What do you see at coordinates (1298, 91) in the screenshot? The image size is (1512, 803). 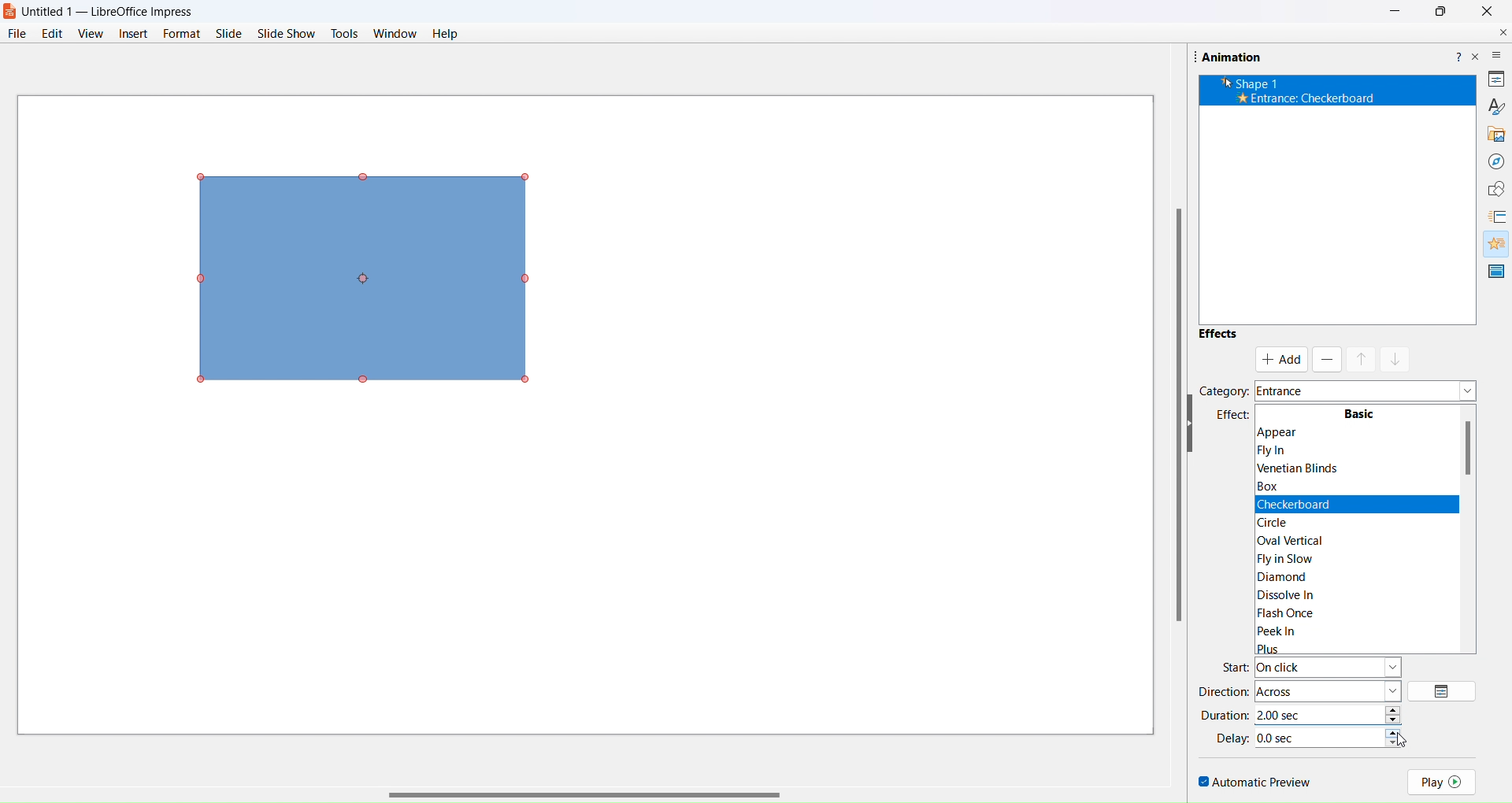 I see `’k Shape 1
* Entrance: Appear` at bounding box center [1298, 91].